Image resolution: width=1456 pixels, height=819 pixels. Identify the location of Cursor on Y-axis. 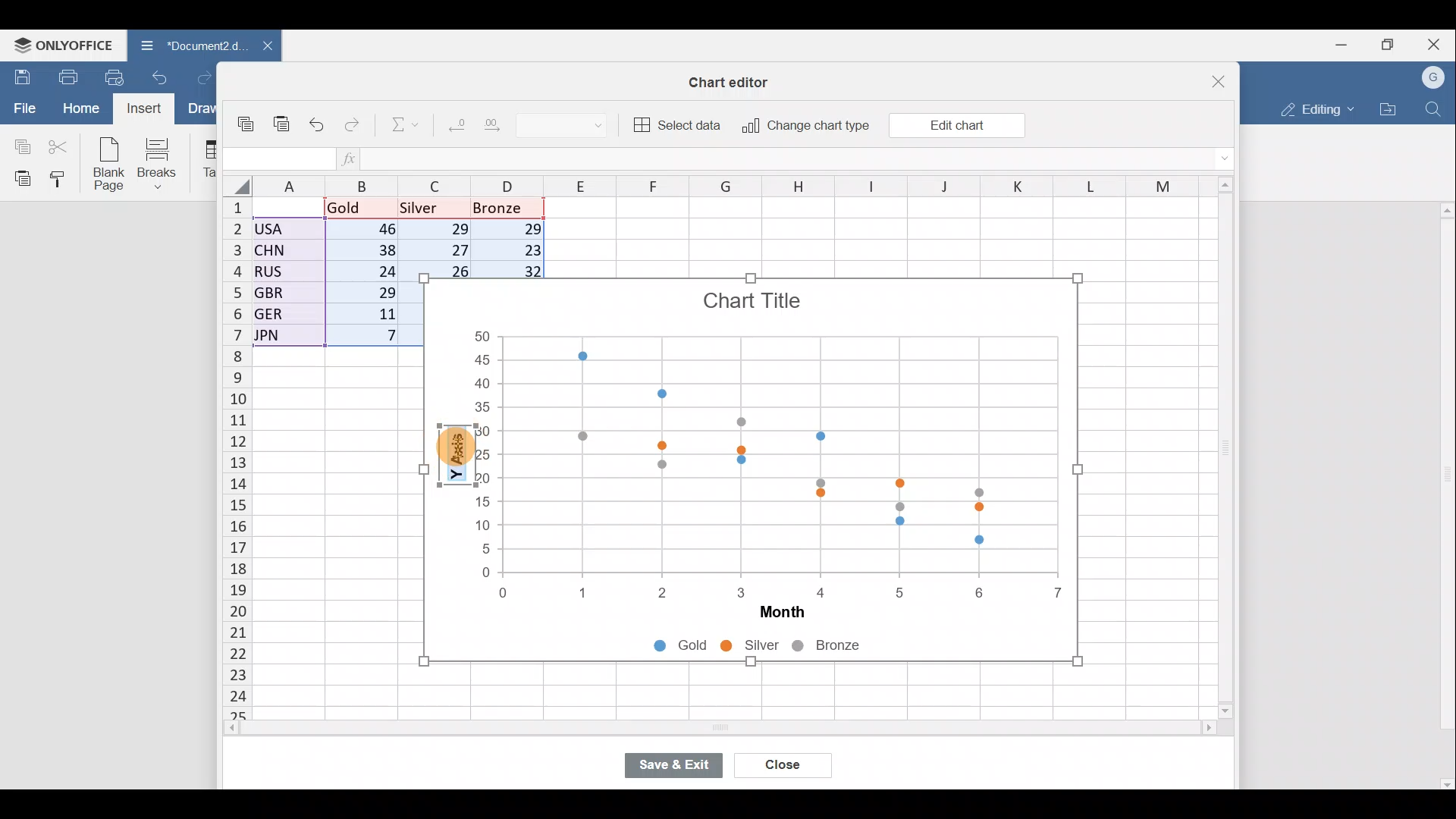
(454, 449).